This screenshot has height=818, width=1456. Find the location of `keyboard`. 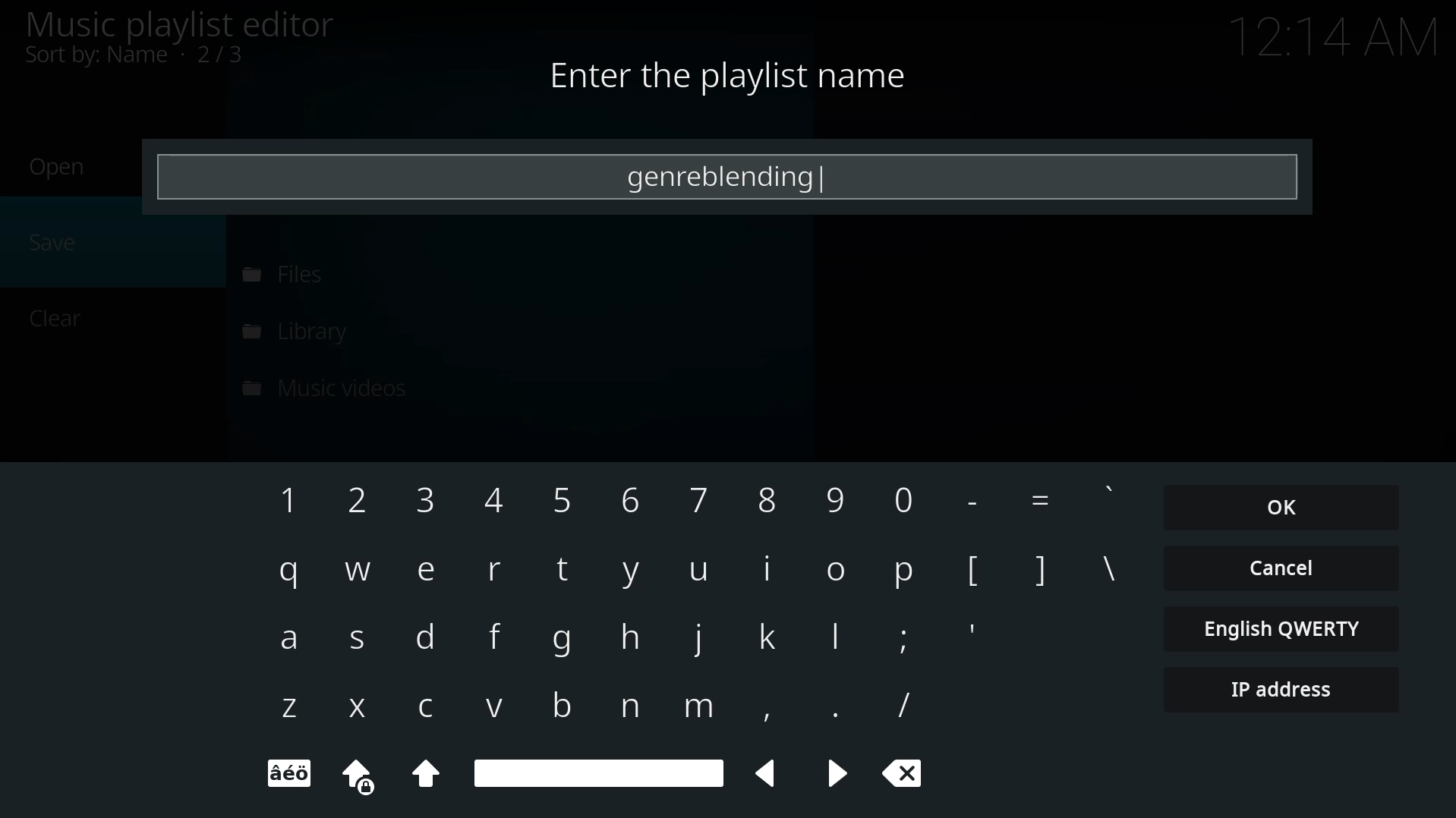

keyboard is located at coordinates (693, 634).